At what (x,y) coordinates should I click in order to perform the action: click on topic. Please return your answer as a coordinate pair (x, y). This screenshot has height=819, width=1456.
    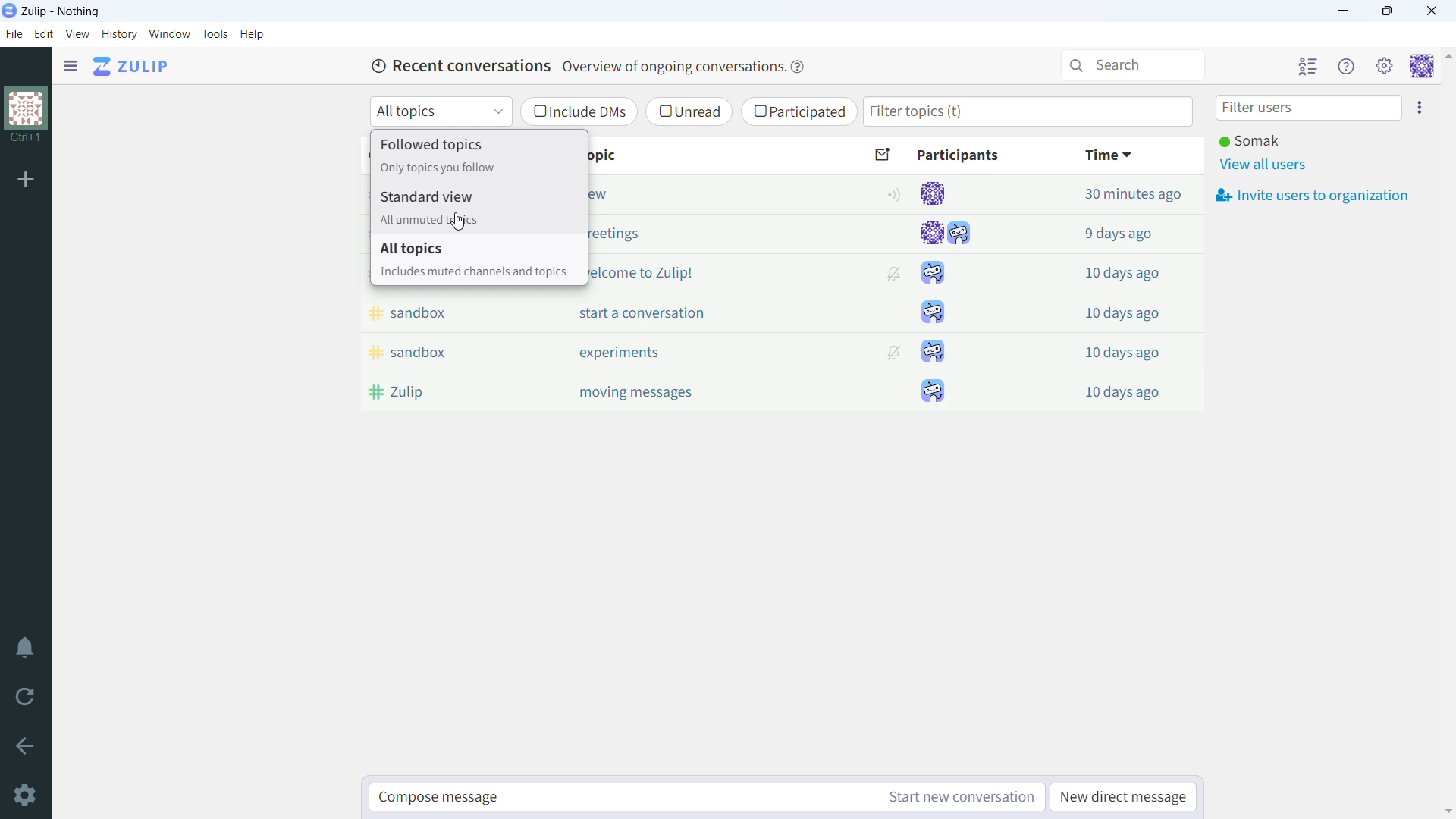
    Looking at the image, I should click on (708, 155).